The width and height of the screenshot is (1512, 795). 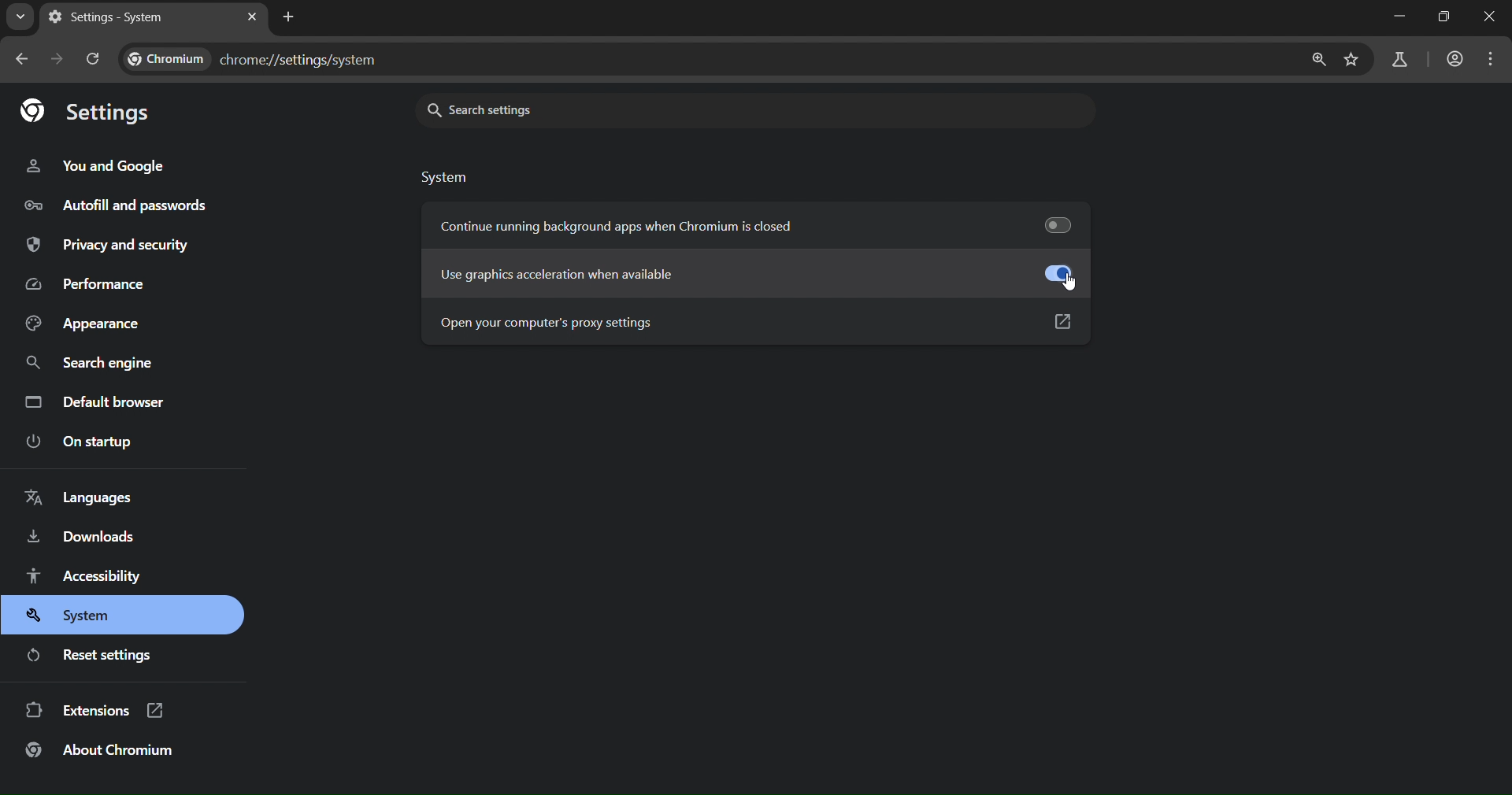 I want to click on new tab, so click(x=254, y=17).